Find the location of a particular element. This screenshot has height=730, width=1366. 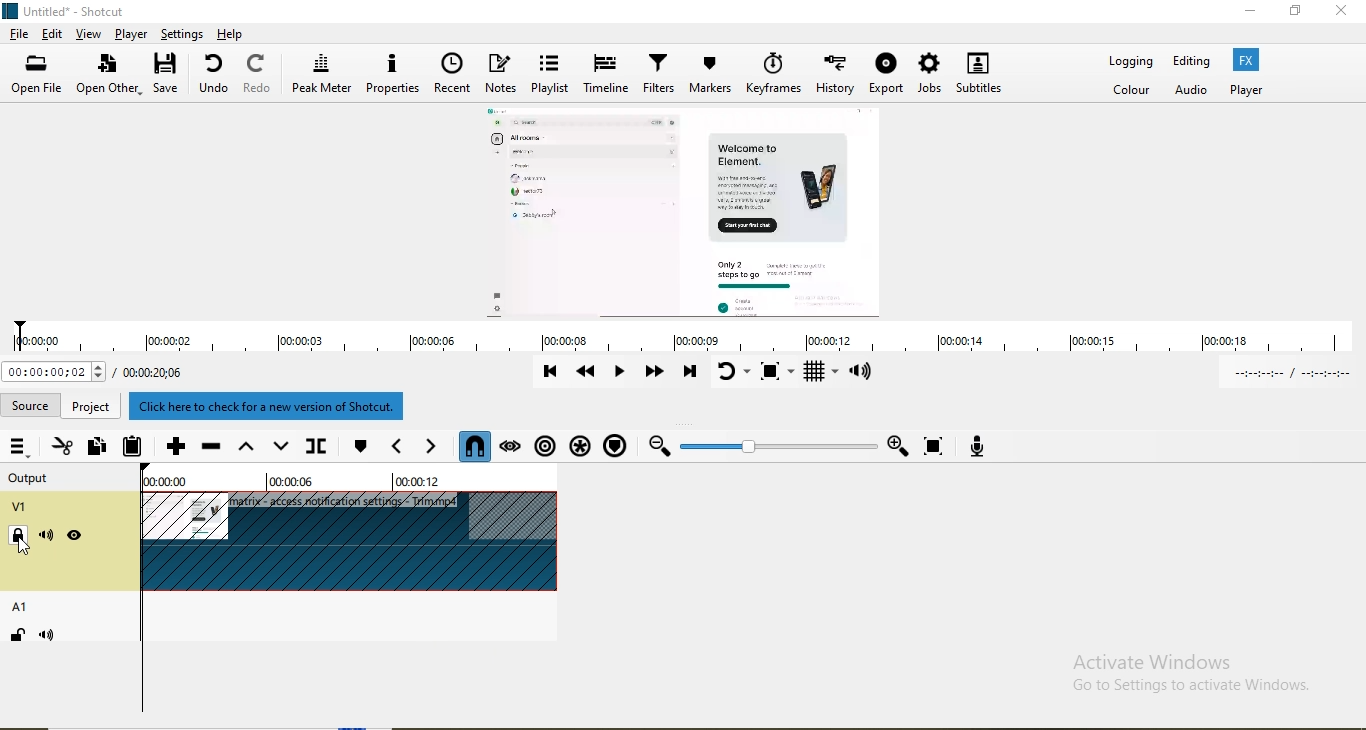

Lock is located at coordinates (21, 537).